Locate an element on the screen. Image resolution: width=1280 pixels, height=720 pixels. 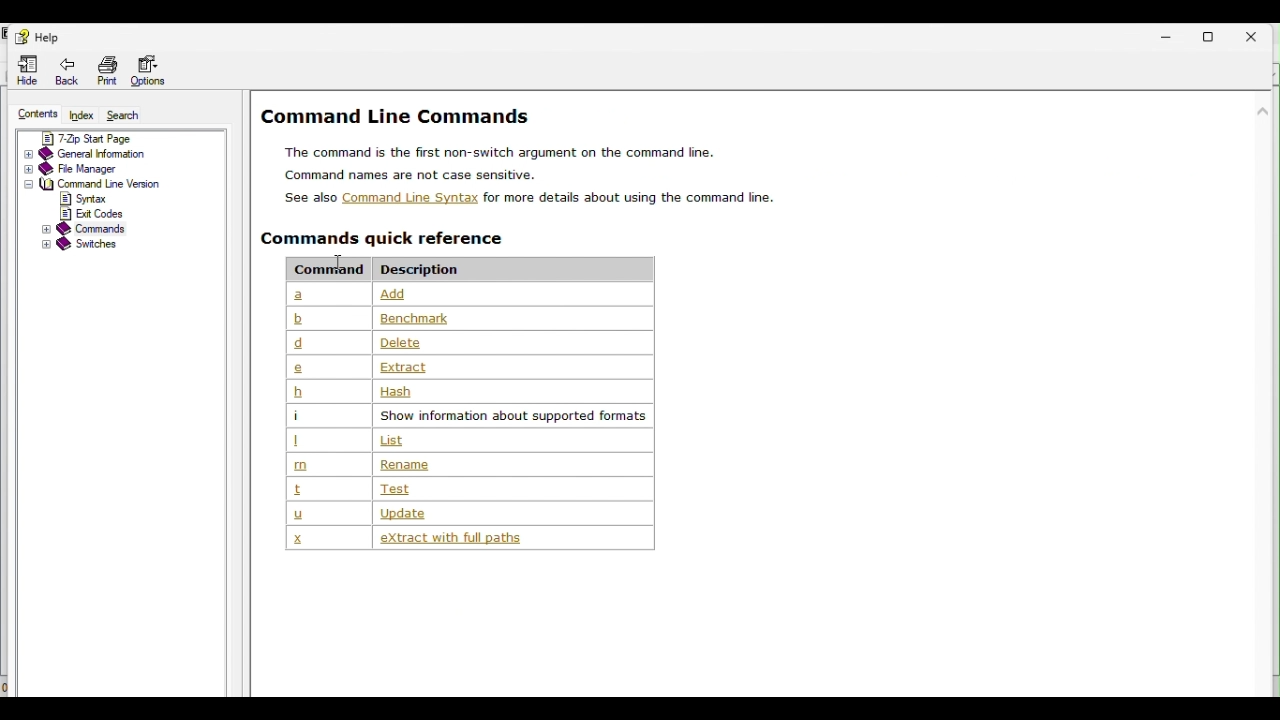
text is located at coordinates (502, 151).